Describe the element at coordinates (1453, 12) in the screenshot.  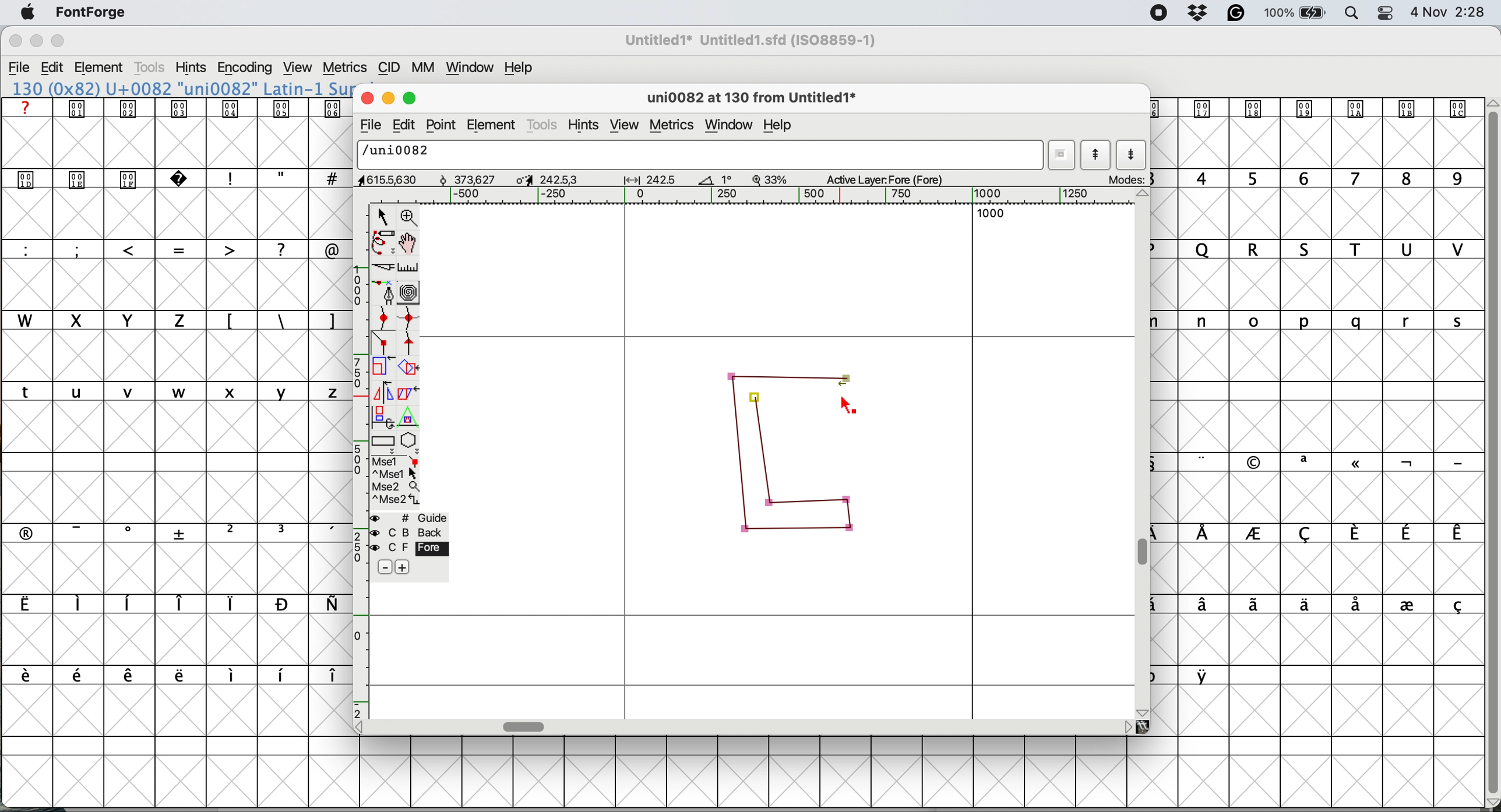
I see `Date and Time` at that location.